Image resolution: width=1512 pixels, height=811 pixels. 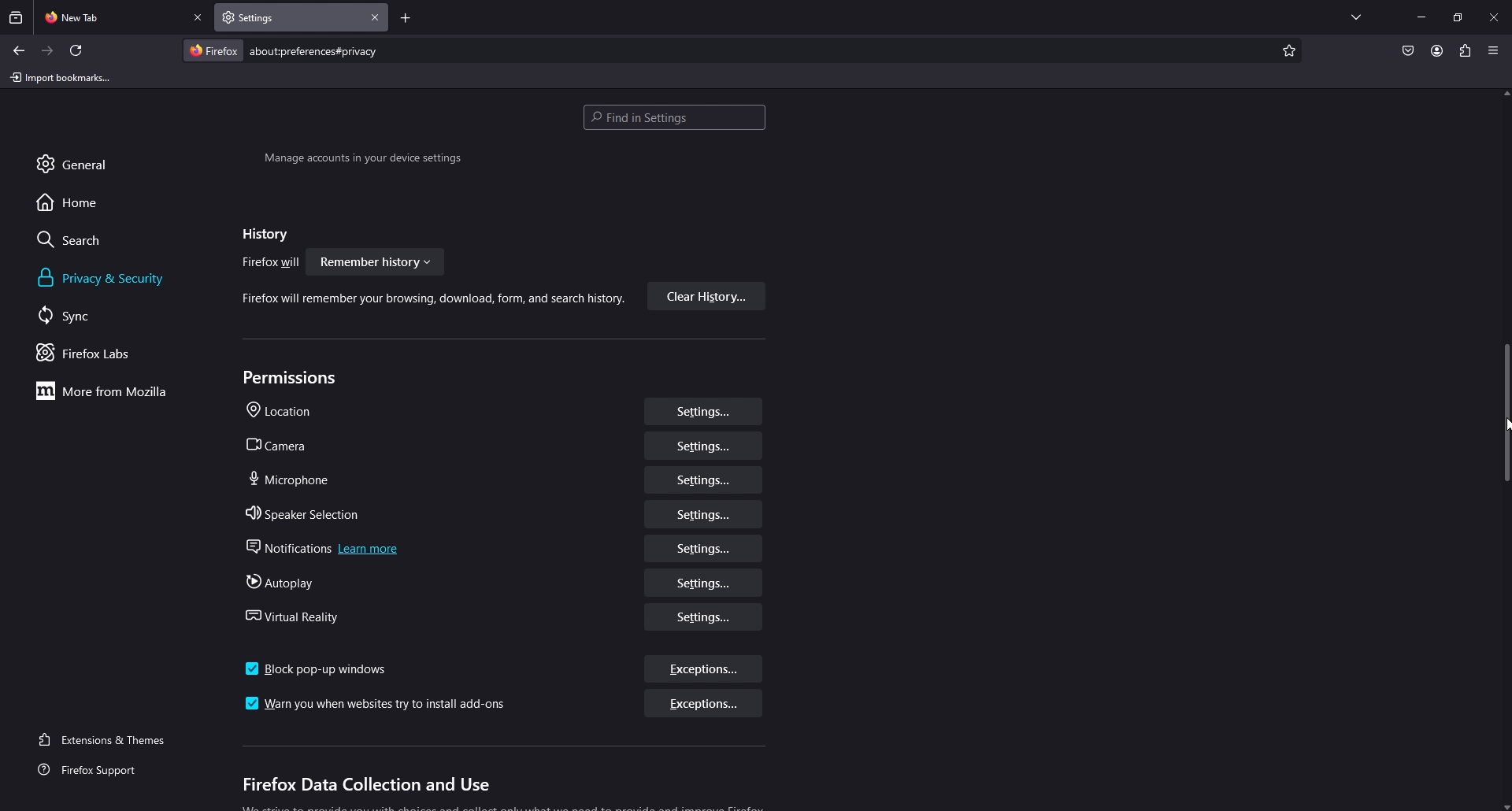 What do you see at coordinates (82, 315) in the screenshot?
I see `sync` at bounding box center [82, 315].